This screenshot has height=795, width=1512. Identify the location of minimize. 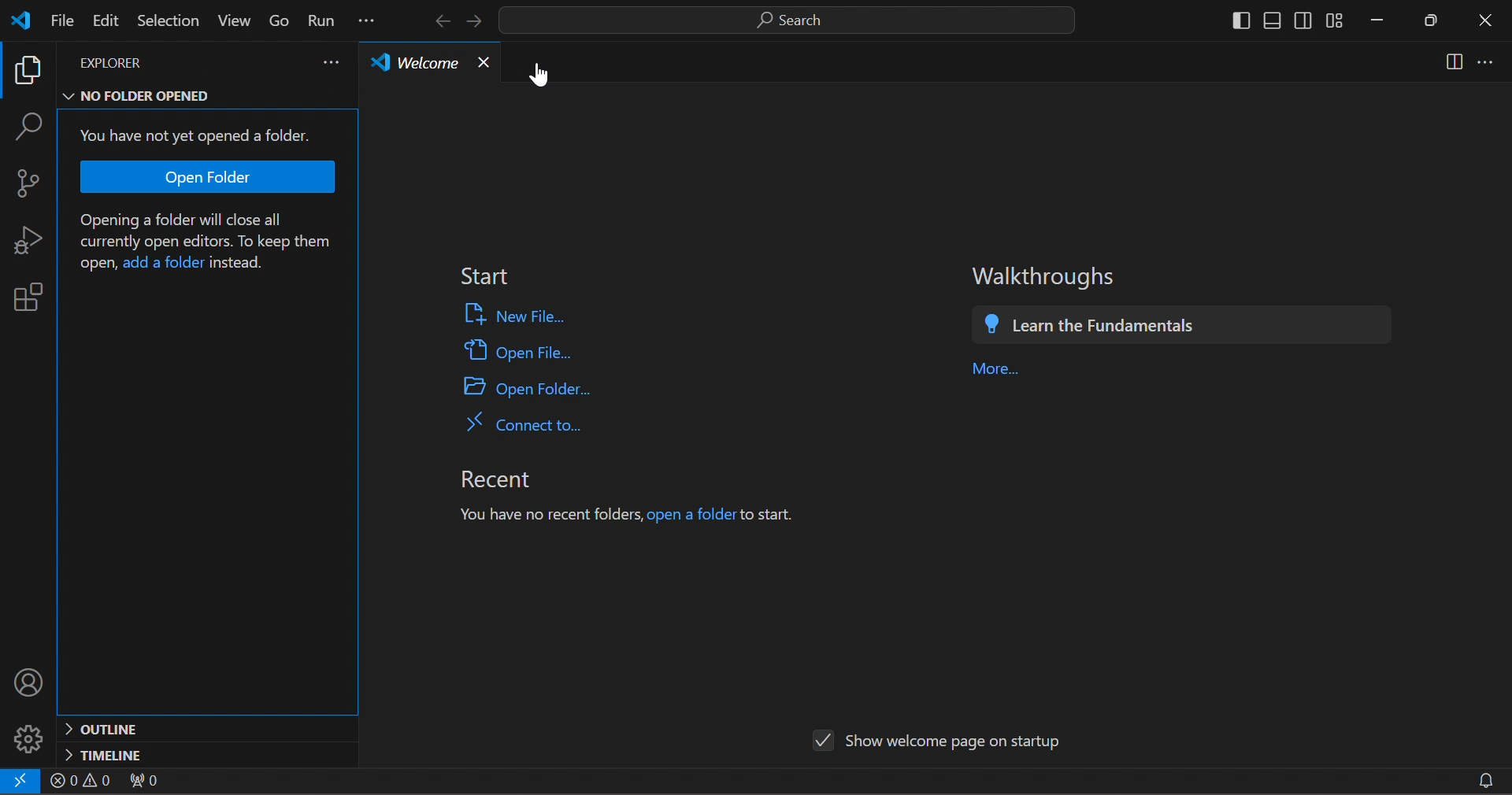
(1384, 24).